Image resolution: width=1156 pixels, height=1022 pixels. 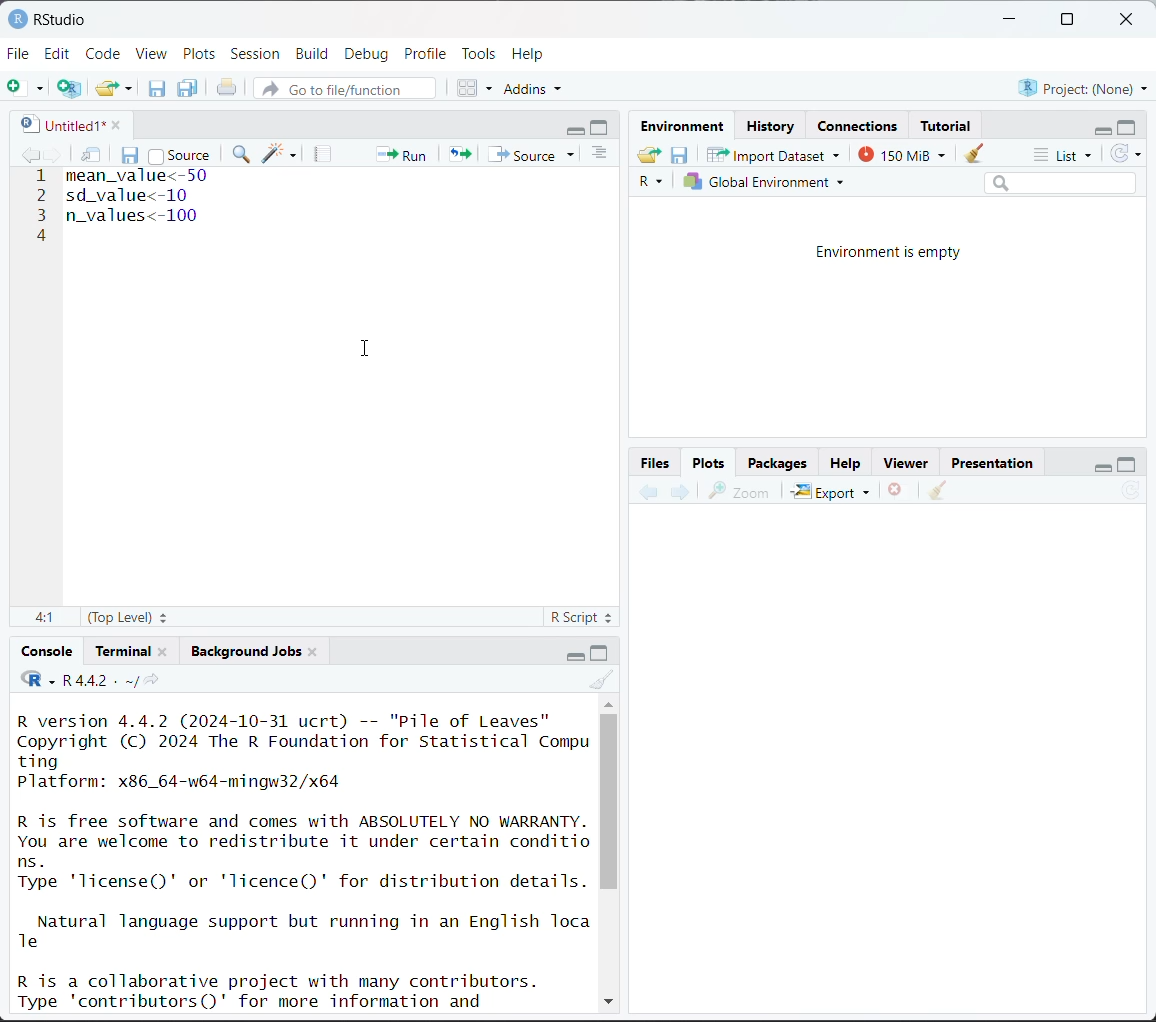 What do you see at coordinates (25, 88) in the screenshot?
I see `new file` at bounding box center [25, 88].